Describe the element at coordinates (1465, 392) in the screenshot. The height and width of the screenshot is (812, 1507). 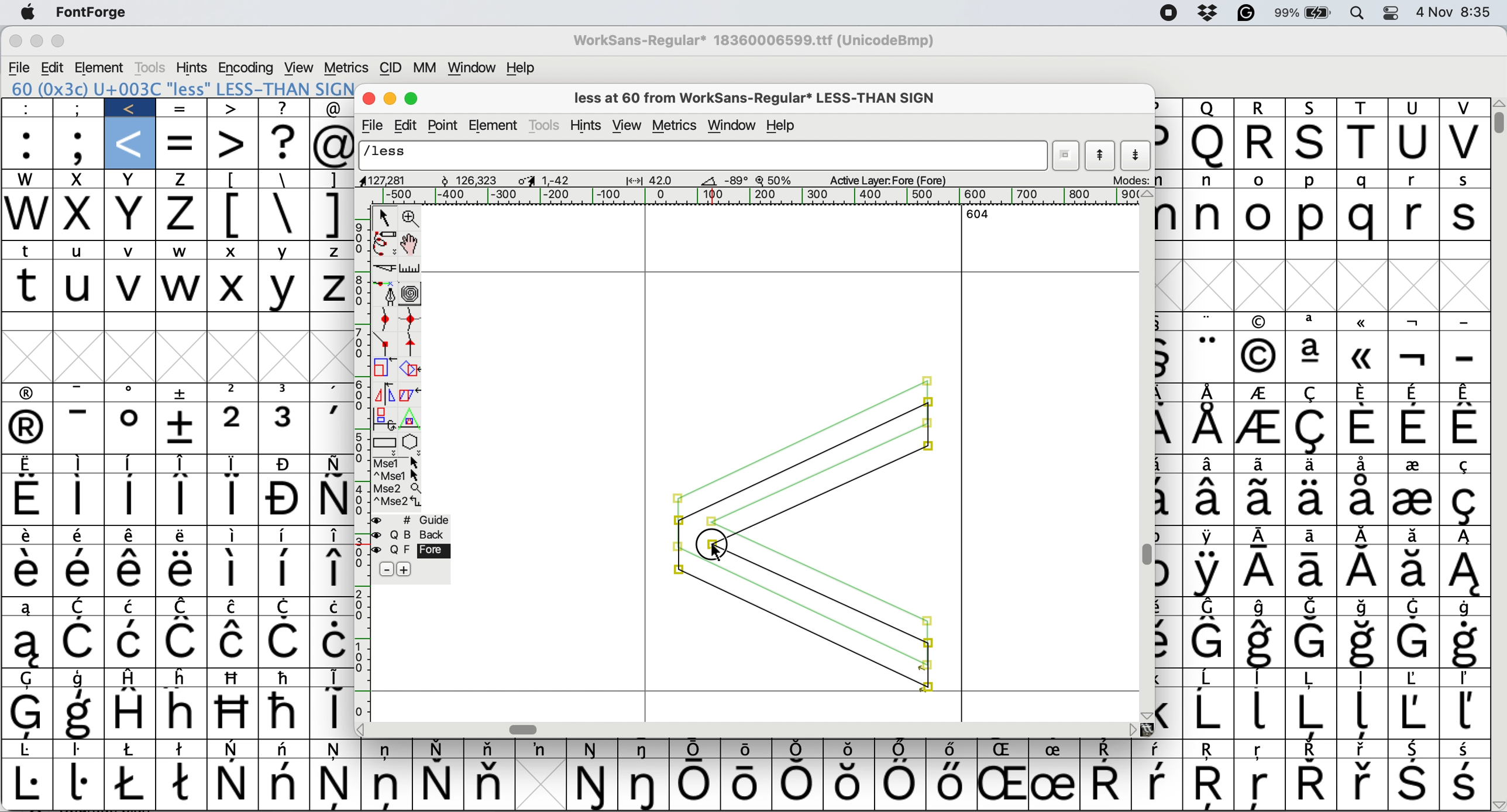
I see `Symbol` at that location.